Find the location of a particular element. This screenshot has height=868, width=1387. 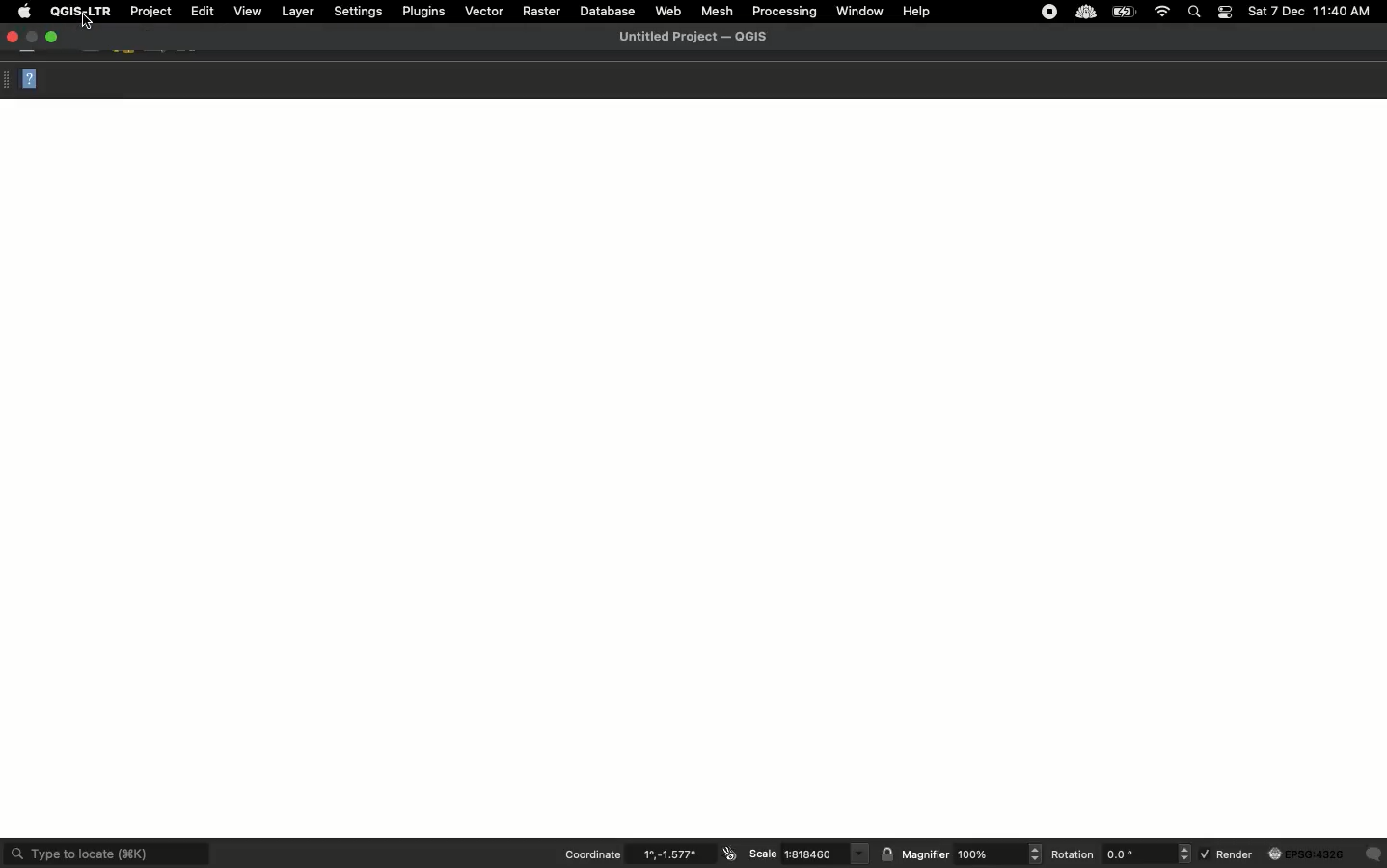

Help is located at coordinates (30, 79).